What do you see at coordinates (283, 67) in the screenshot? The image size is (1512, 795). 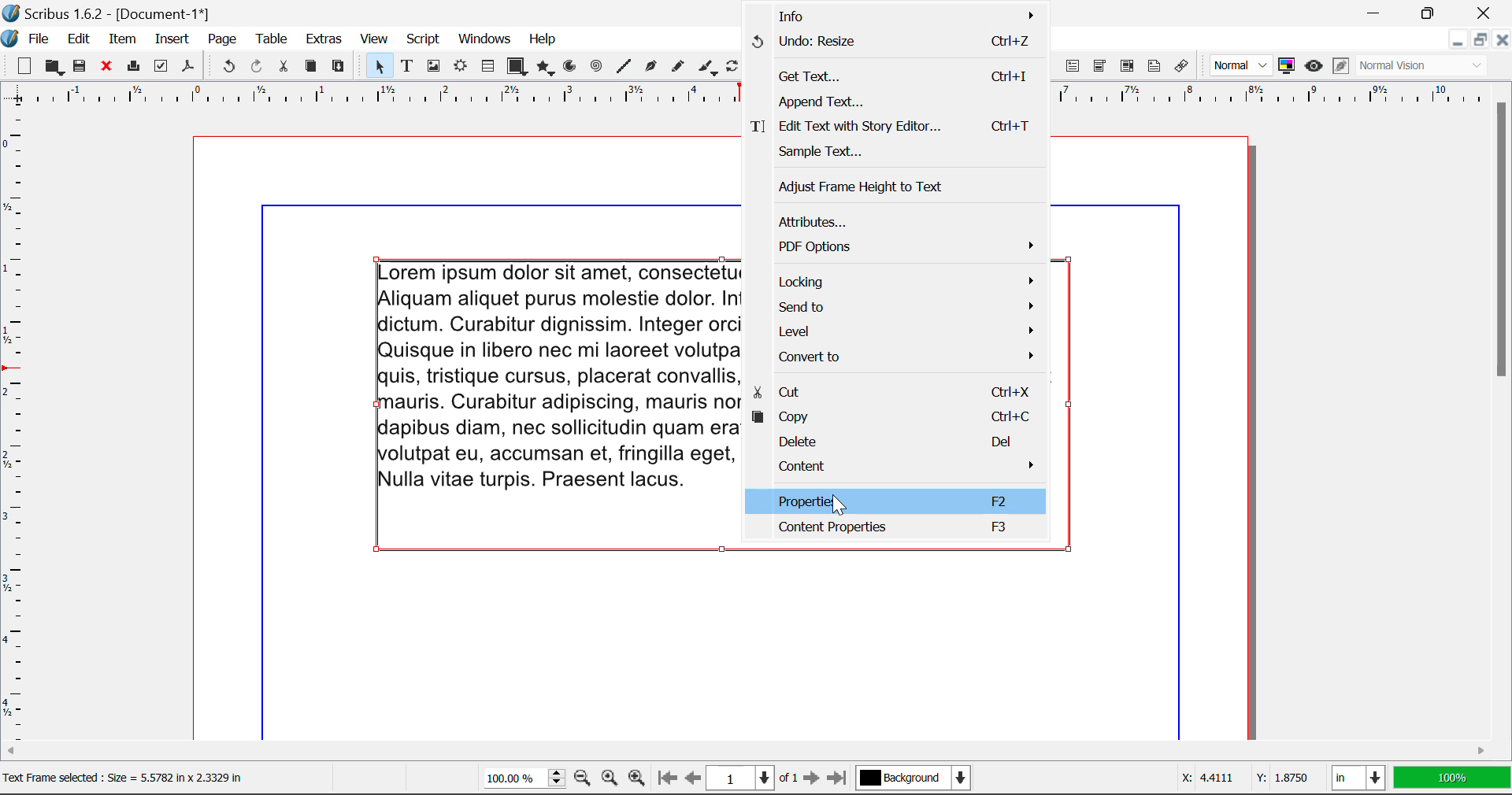 I see `Cut` at bounding box center [283, 67].